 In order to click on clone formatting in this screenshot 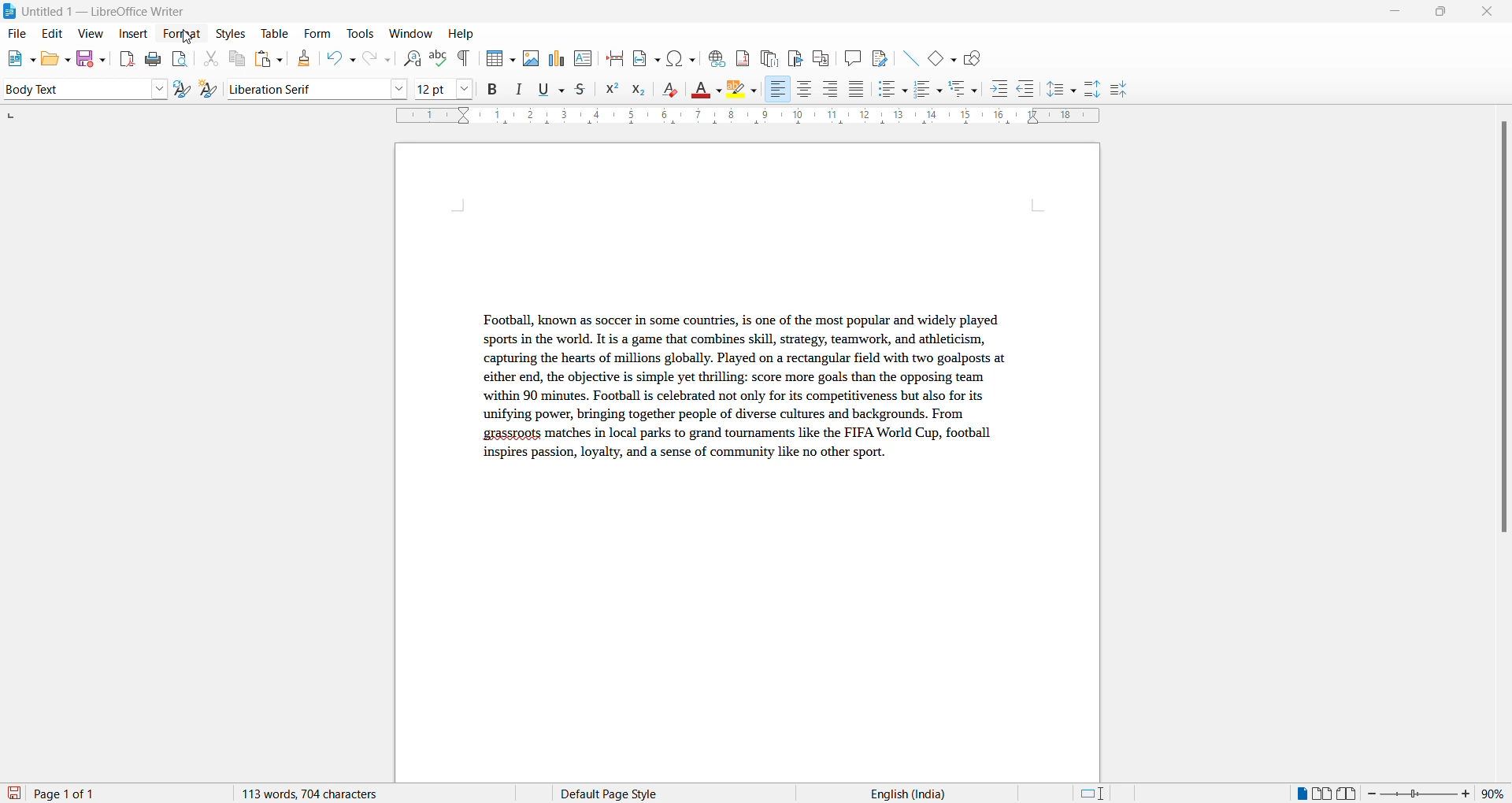, I will do `click(301, 58)`.